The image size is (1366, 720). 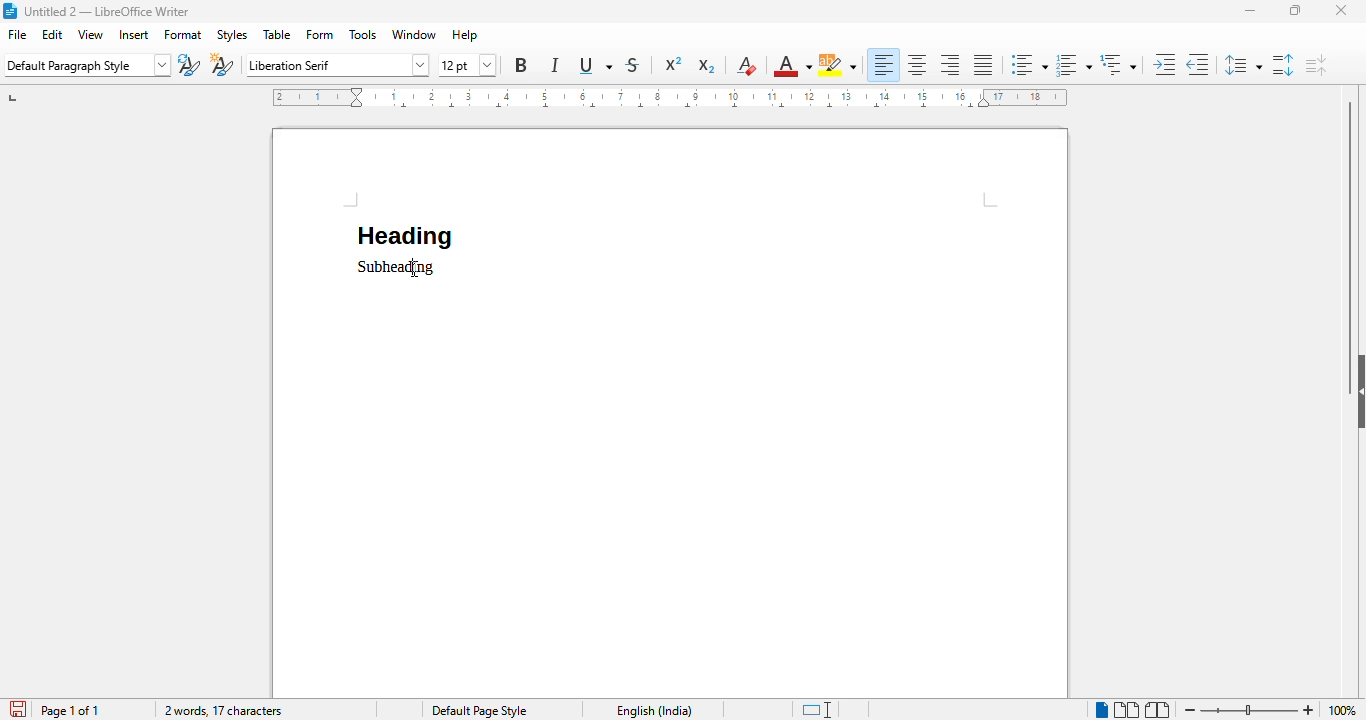 I want to click on italic, so click(x=555, y=64).